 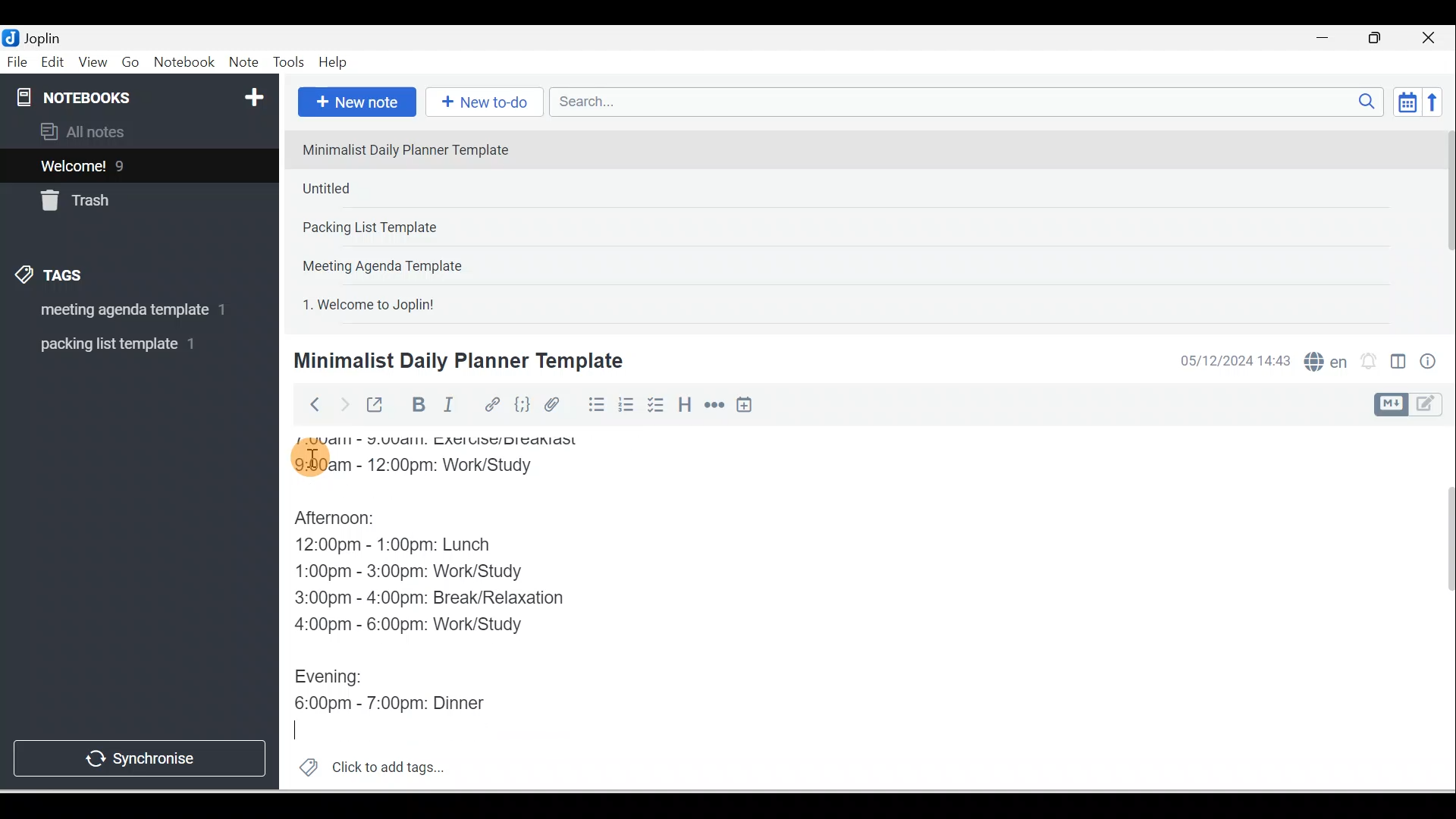 I want to click on Note 4, so click(x=403, y=262).